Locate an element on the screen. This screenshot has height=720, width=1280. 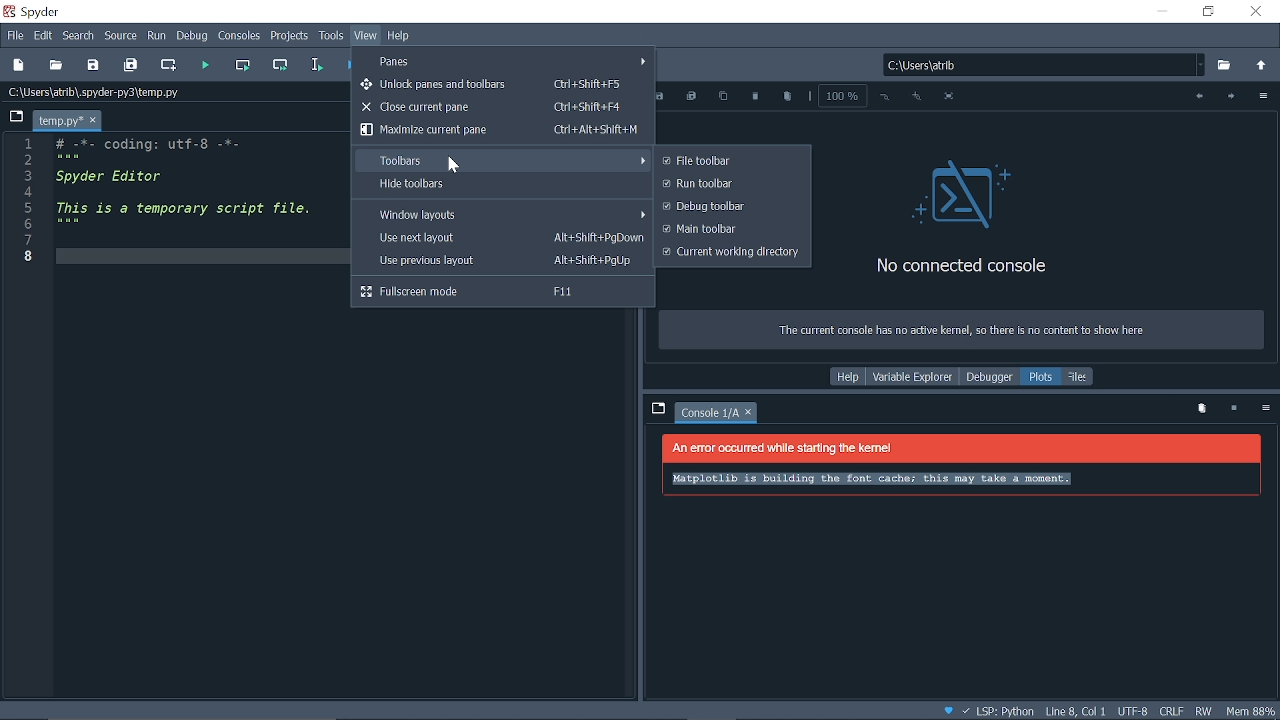
unlock panes and toolbars is located at coordinates (503, 84).